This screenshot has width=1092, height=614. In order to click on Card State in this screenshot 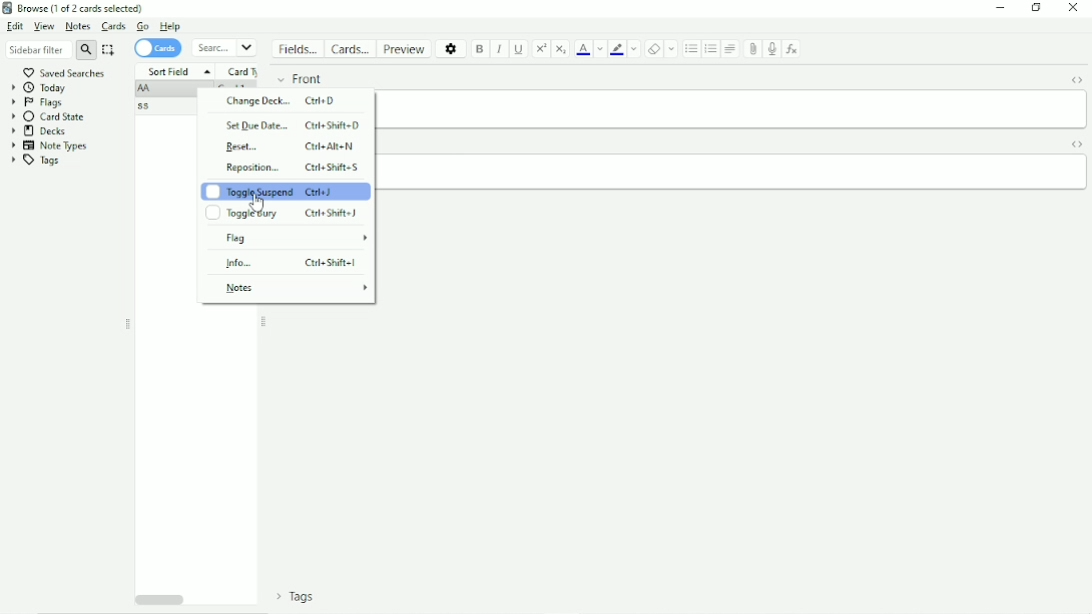, I will do `click(49, 117)`.